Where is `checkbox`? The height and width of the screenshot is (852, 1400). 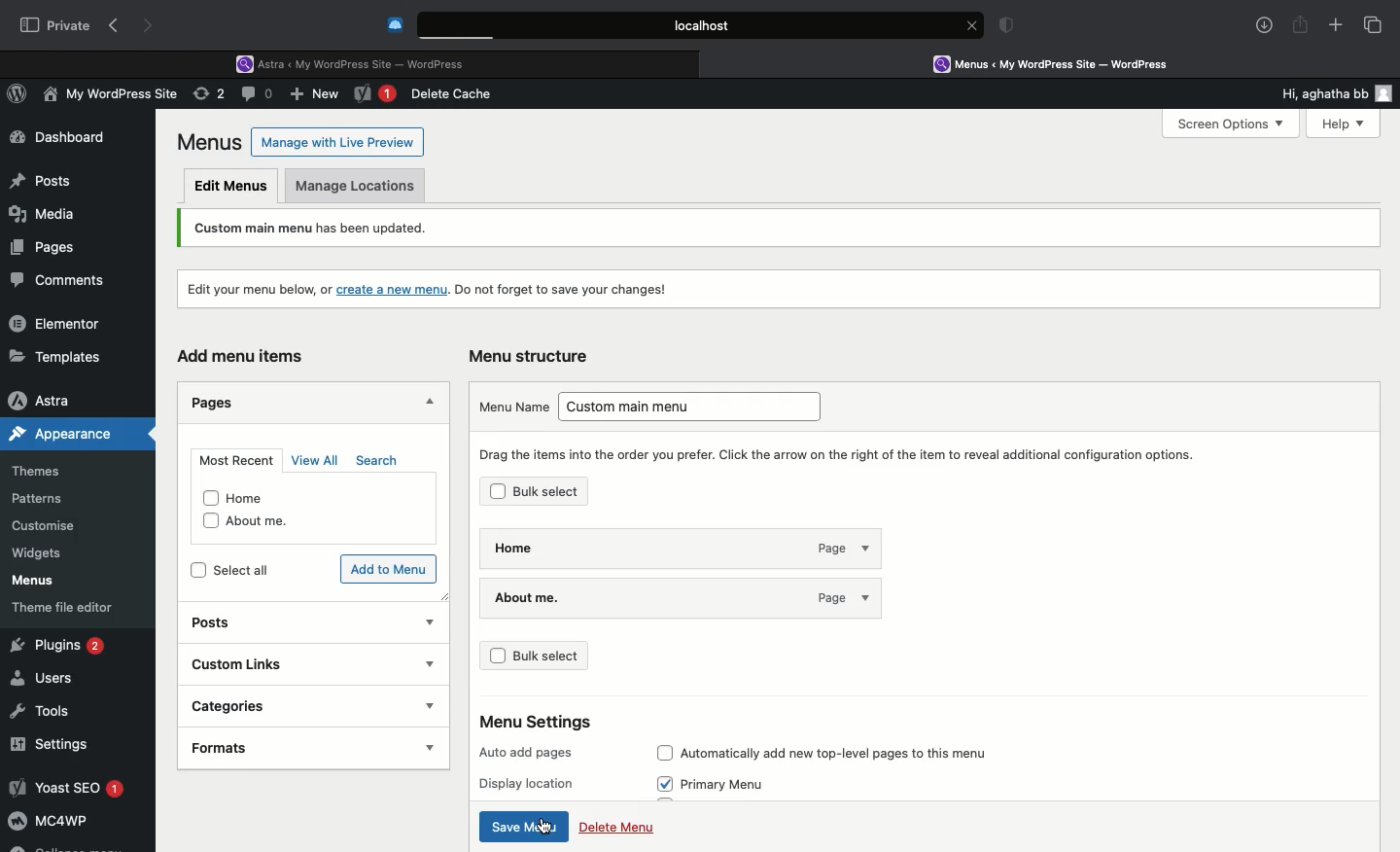
checkbox is located at coordinates (666, 783).